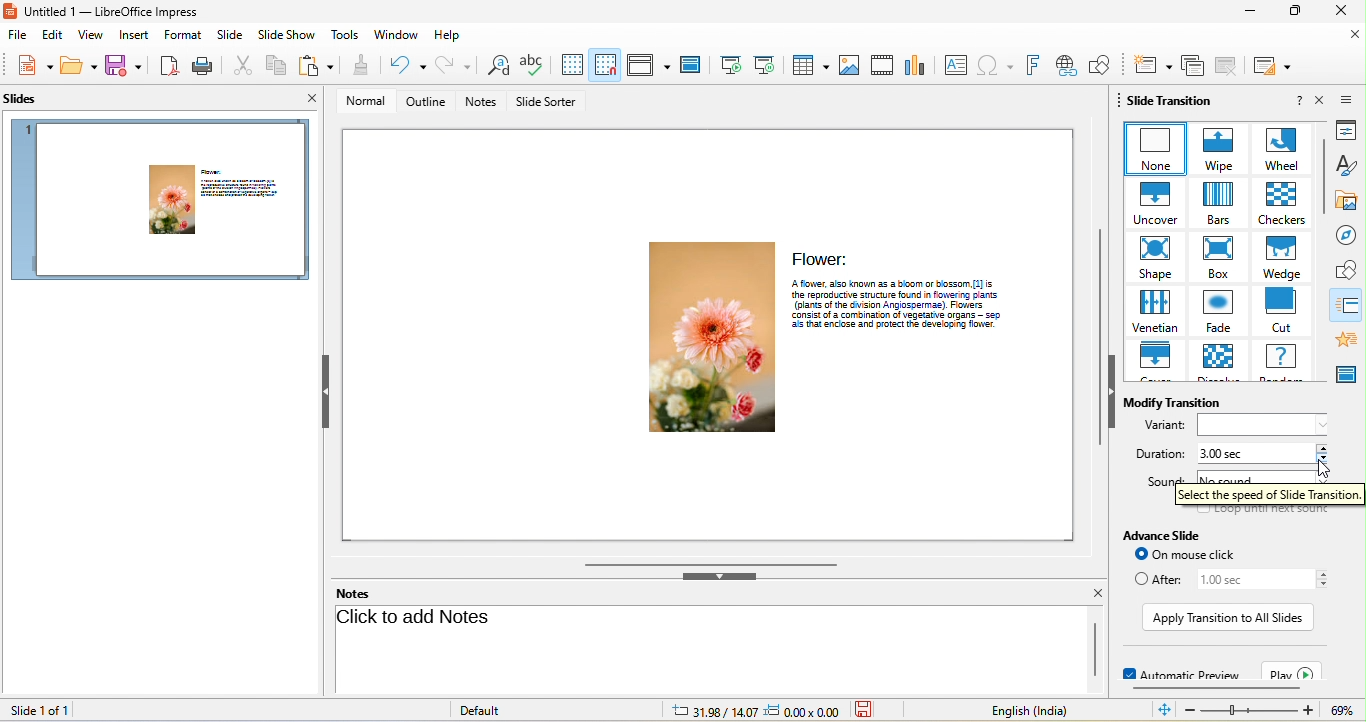  I want to click on random, so click(1284, 361).